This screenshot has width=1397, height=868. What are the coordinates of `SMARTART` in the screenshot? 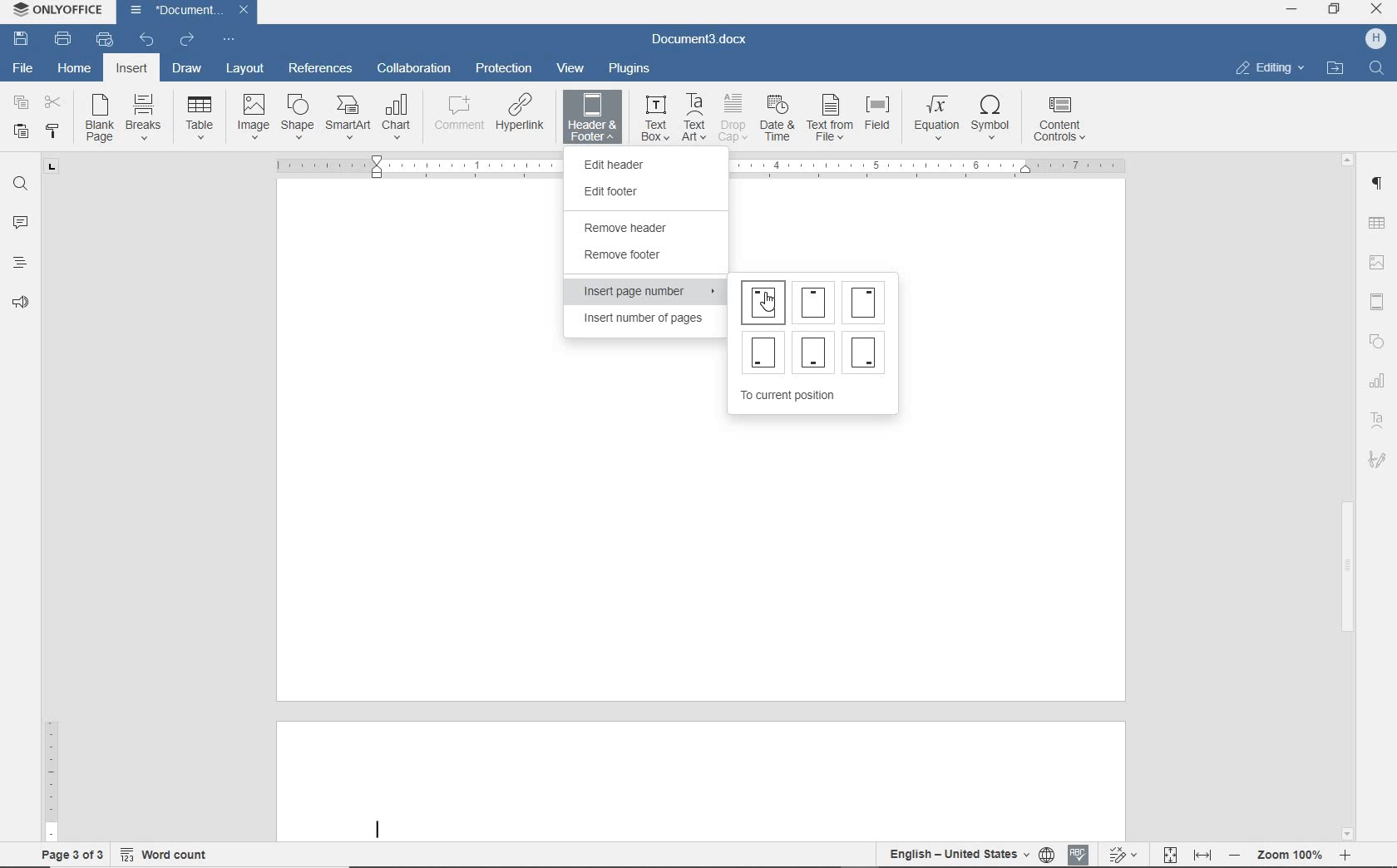 It's located at (348, 119).